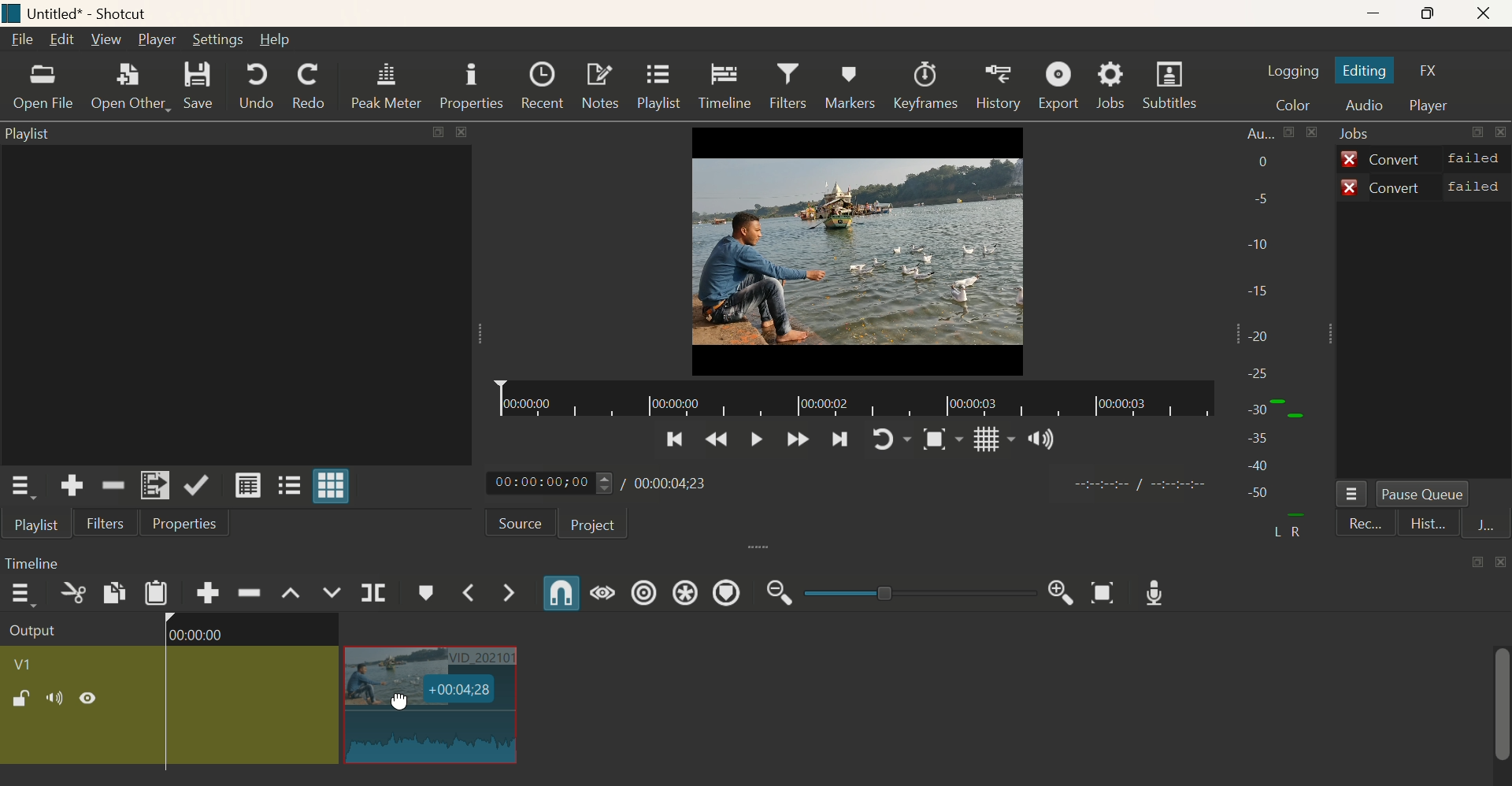 The width and height of the screenshot is (1512, 786). Describe the element at coordinates (155, 485) in the screenshot. I see `Add to Playlist` at that location.